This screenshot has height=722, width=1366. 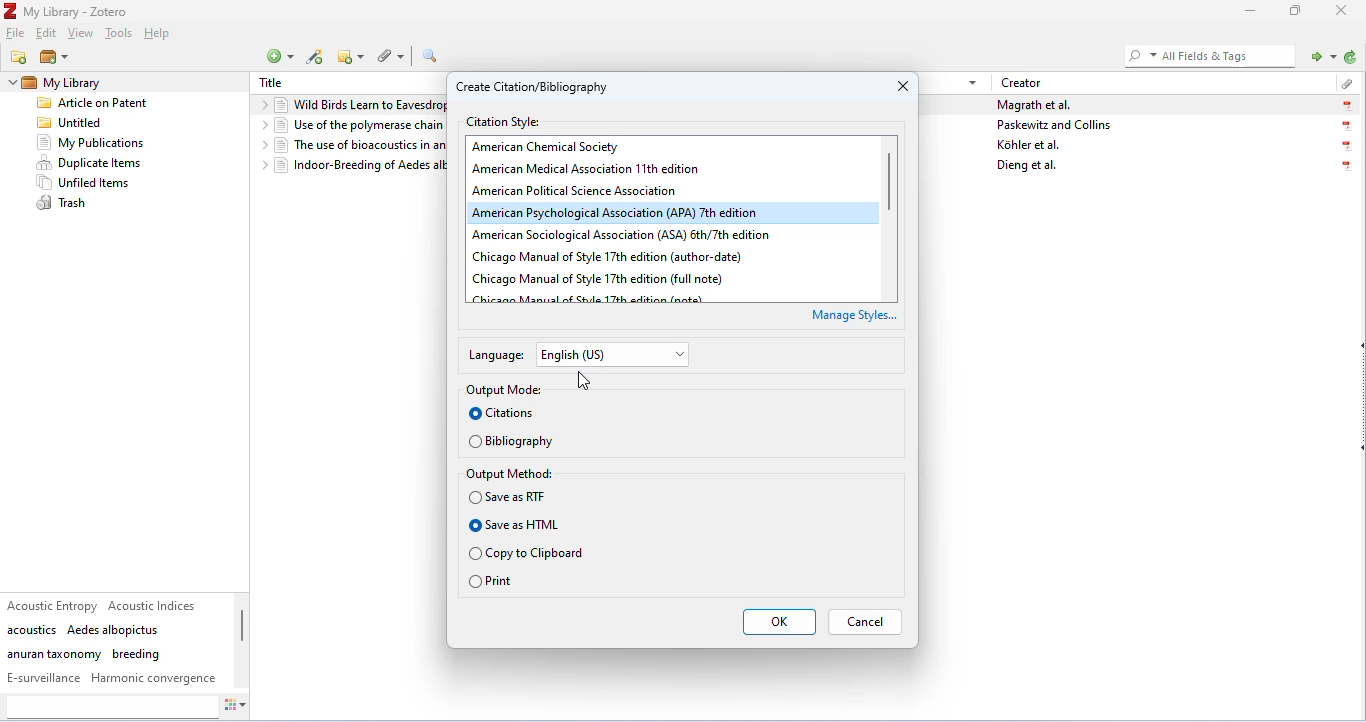 I want to click on drop down, so click(x=972, y=81).